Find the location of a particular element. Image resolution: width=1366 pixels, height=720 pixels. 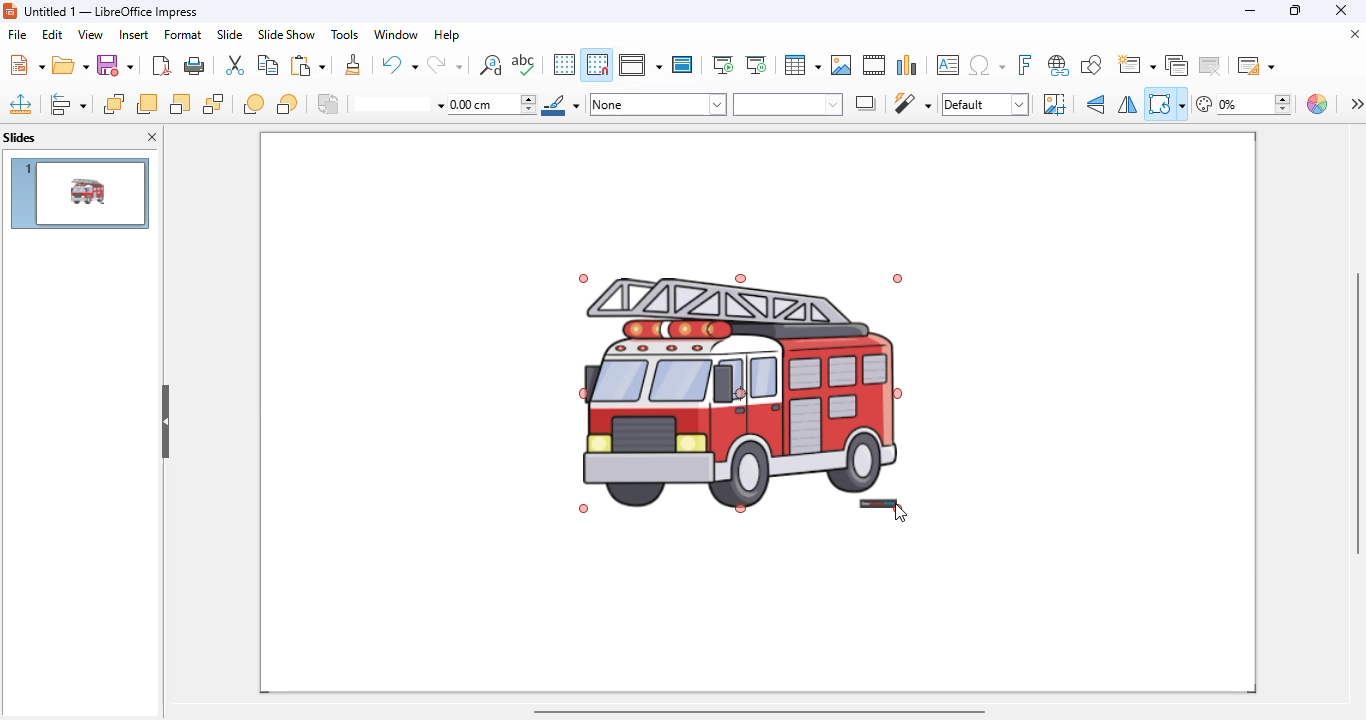

reverse is located at coordinates (329, 104).